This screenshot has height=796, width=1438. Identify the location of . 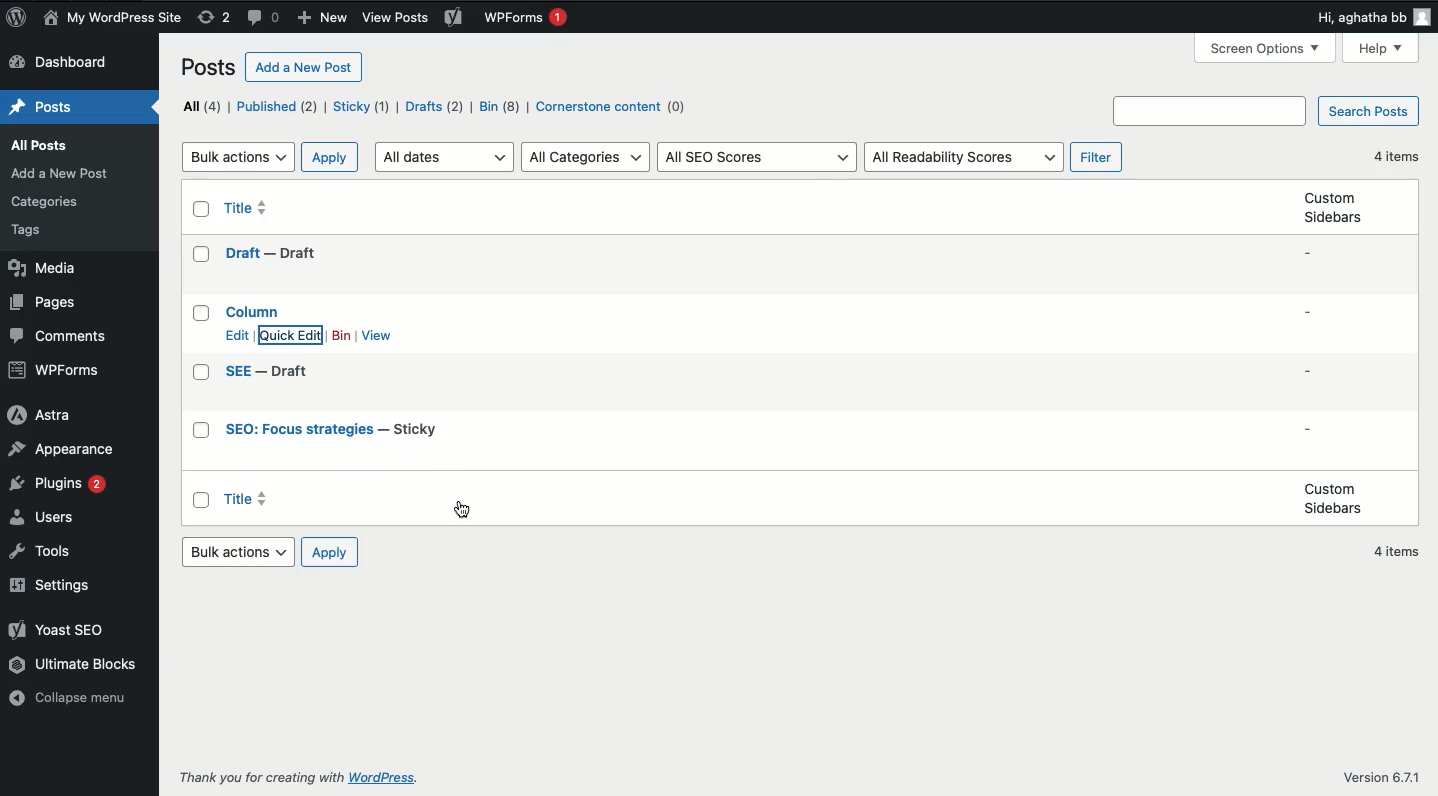
(61, 174).